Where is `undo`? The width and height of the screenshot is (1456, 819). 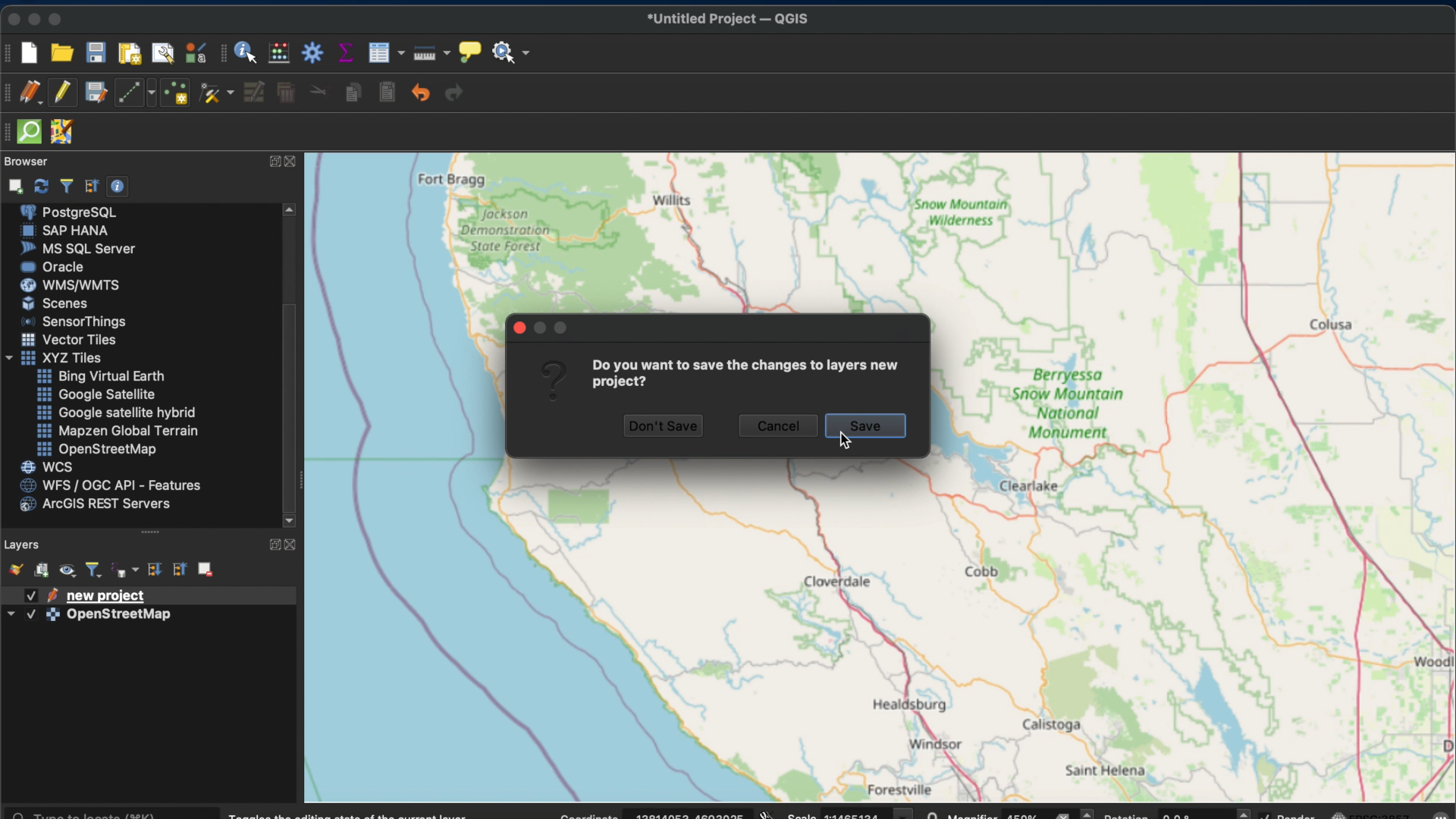
undo is located at coordinates (422, 93).